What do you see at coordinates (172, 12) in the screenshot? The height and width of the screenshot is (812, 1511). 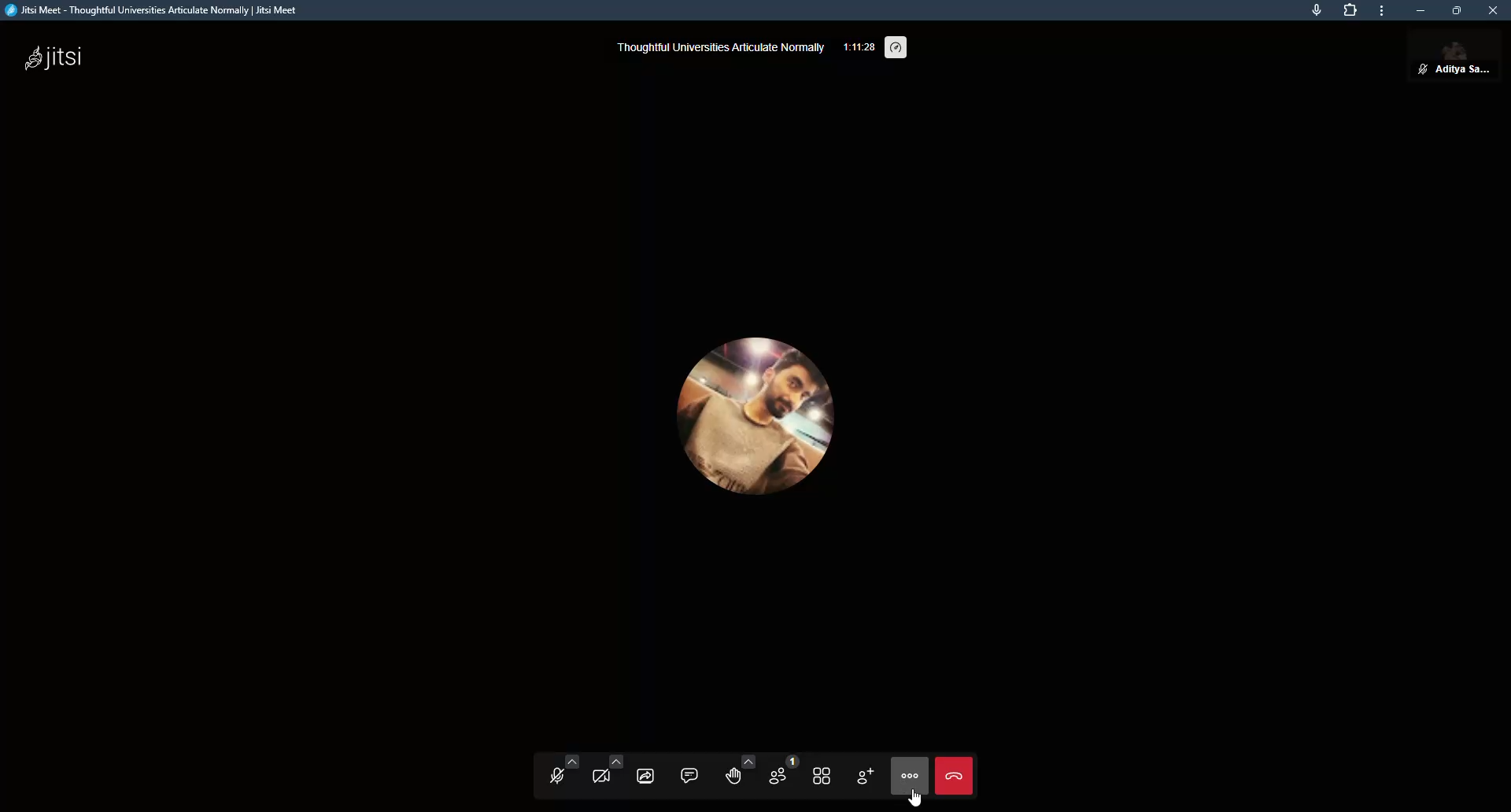 I see `Jitsi Meet - Thoughtful Universities Articulate Normally | Jitsi Meet` at bounding box center [172, 12].